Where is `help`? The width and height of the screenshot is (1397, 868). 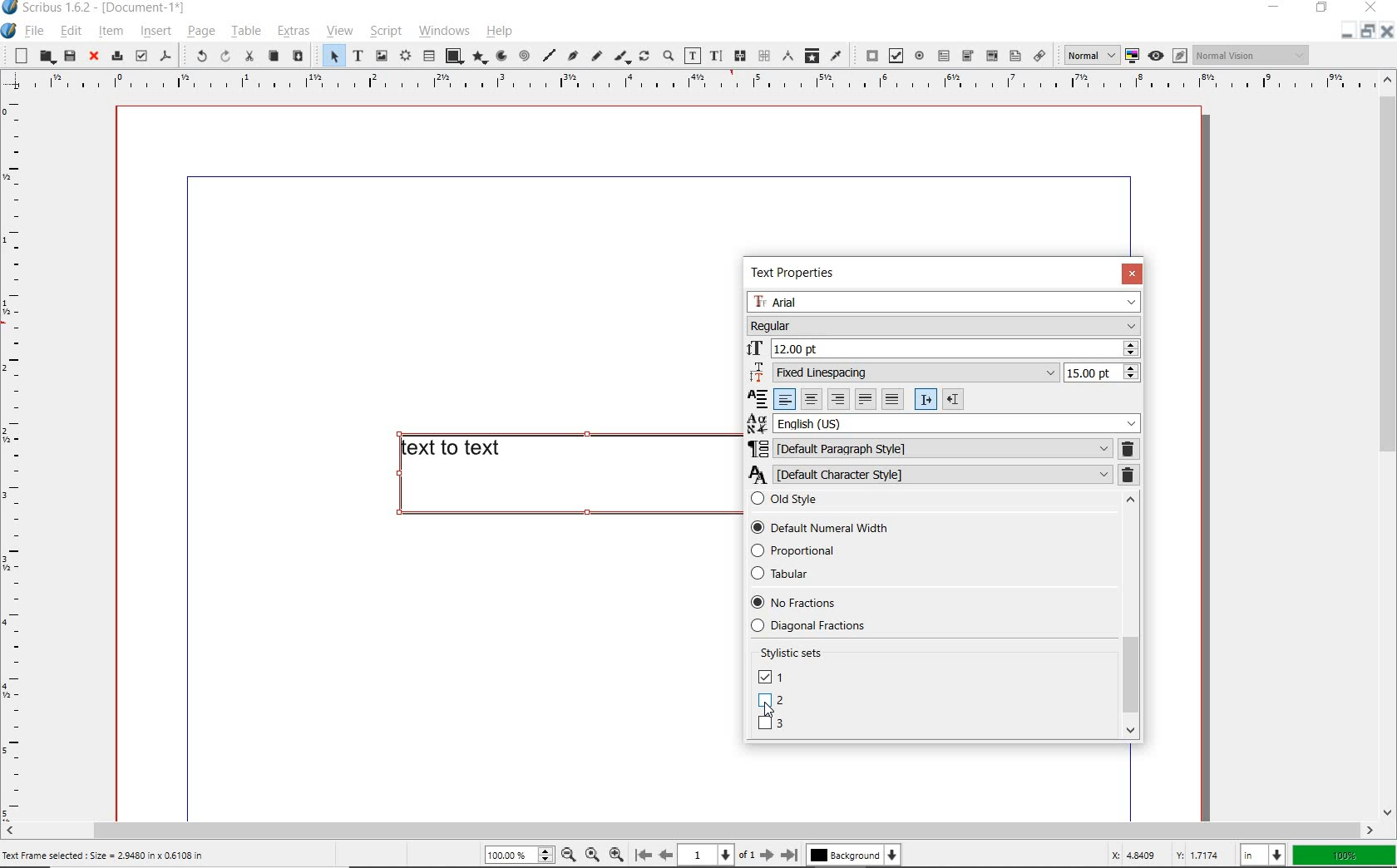
help is located at coordinates (503, 31).